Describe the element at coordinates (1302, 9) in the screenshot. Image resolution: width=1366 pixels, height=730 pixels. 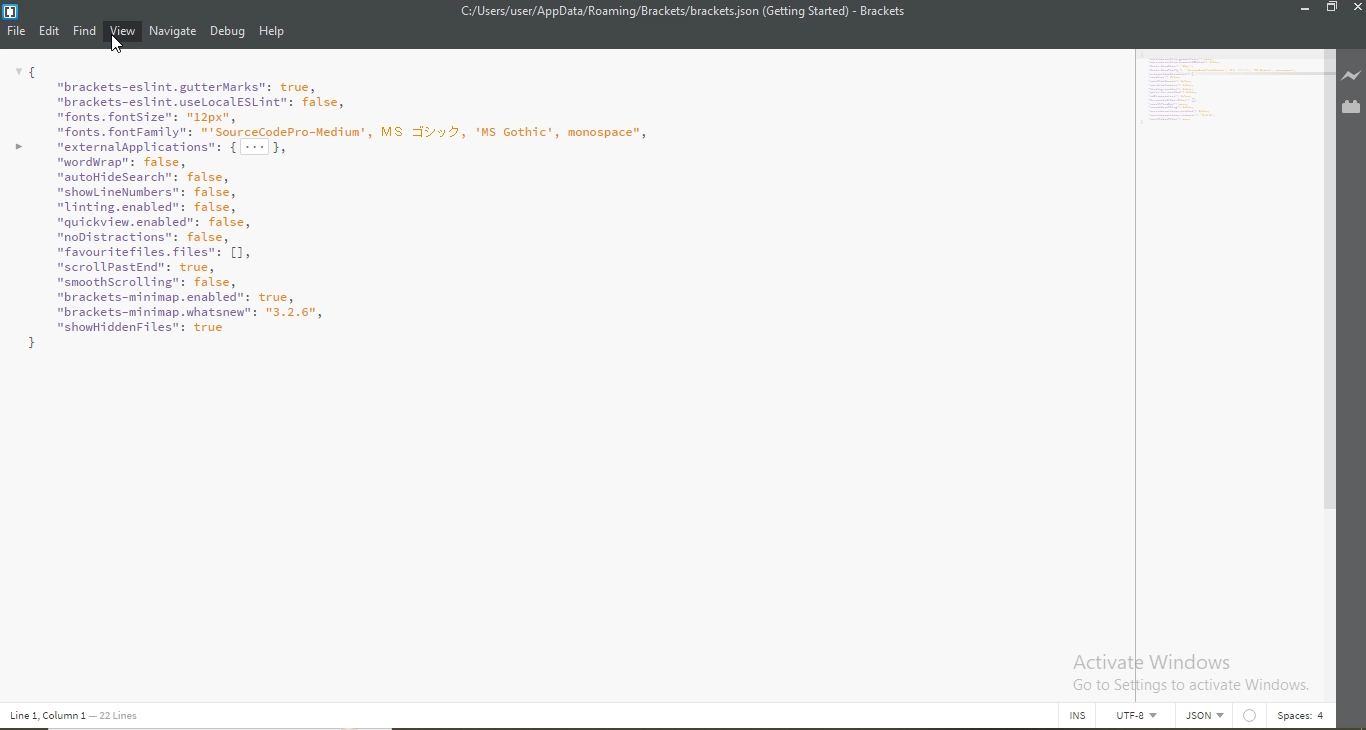
I see `minimise` at that location.